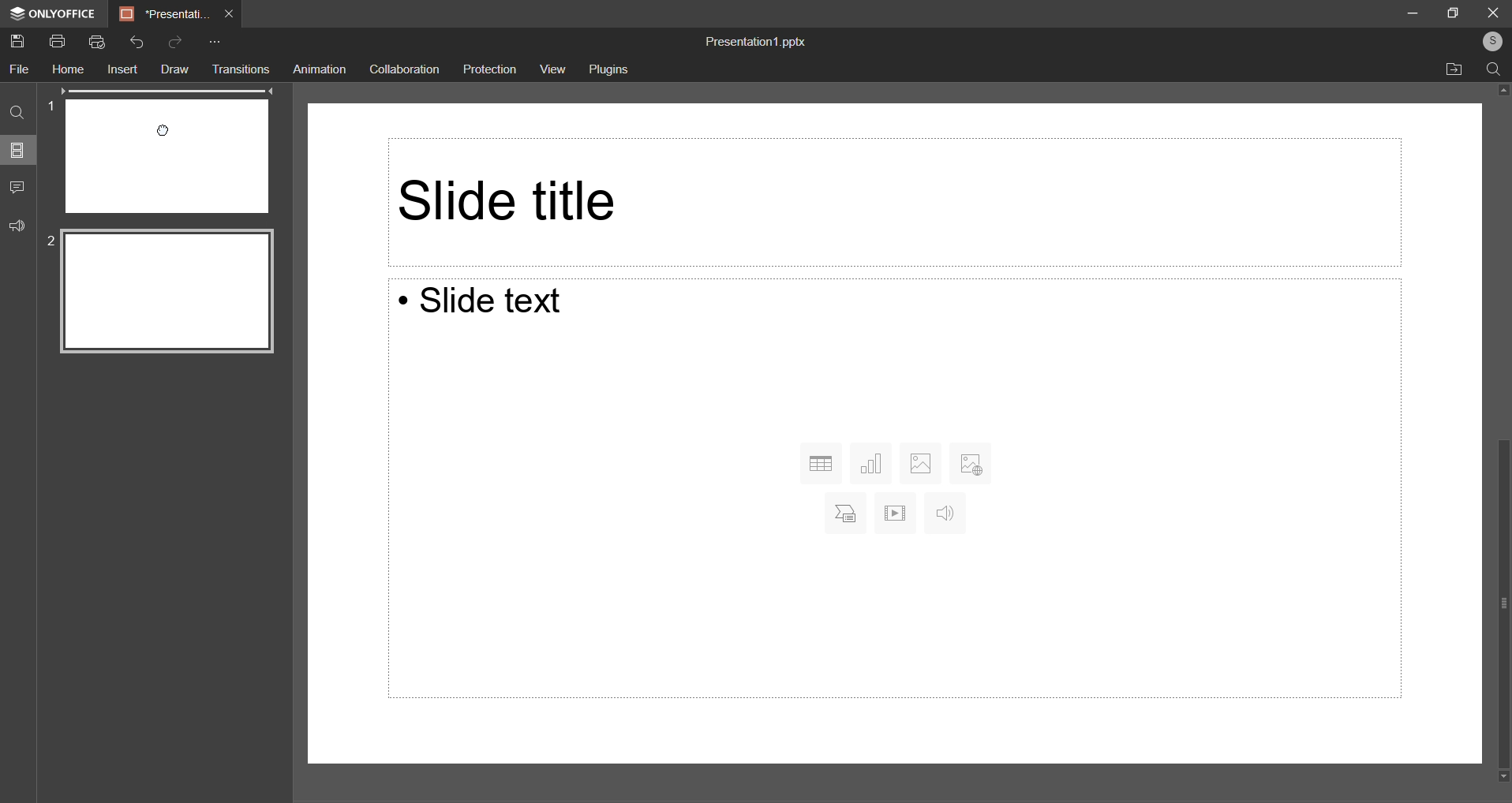  What do you see at coordinates (173, 69) in the screenshot?
I see `Draw` at bounding box center [173, 69].